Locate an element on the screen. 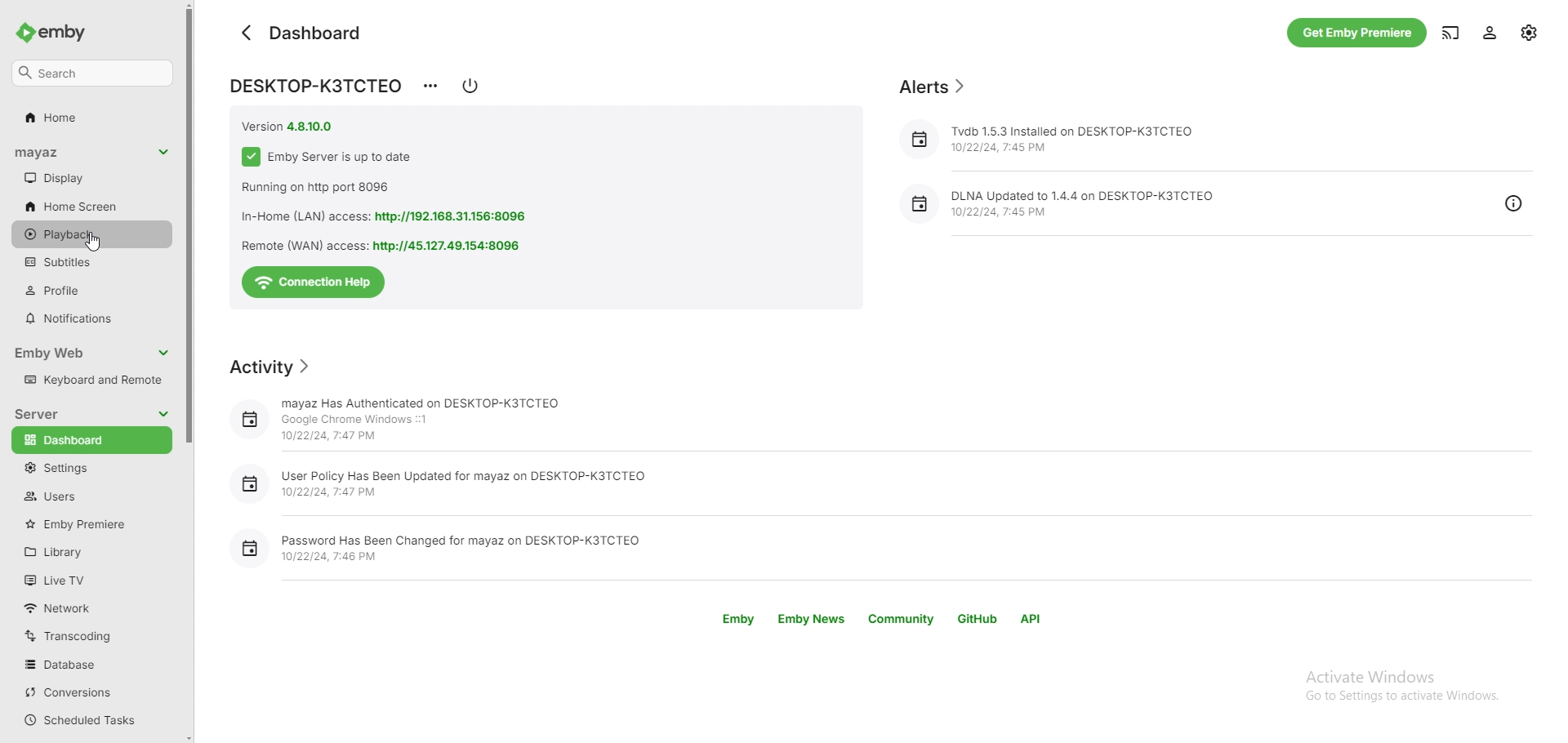  username is located at coordinates (60, 153).